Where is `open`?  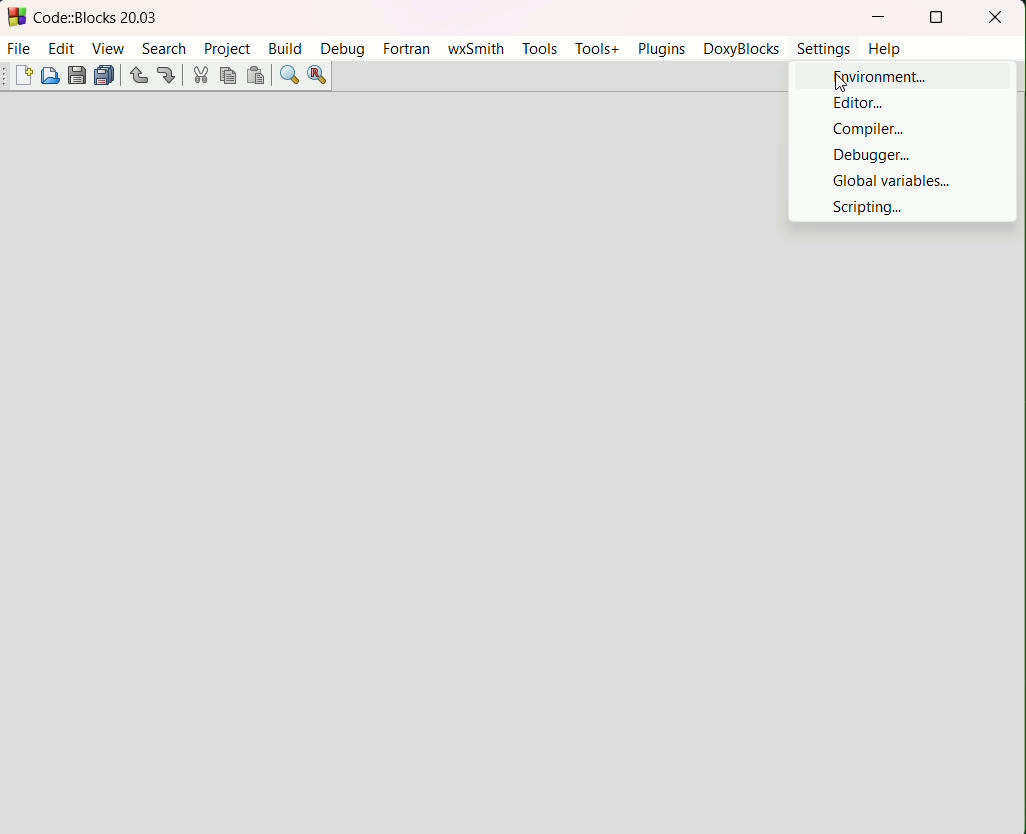
open is located at coordinates (51, 76).